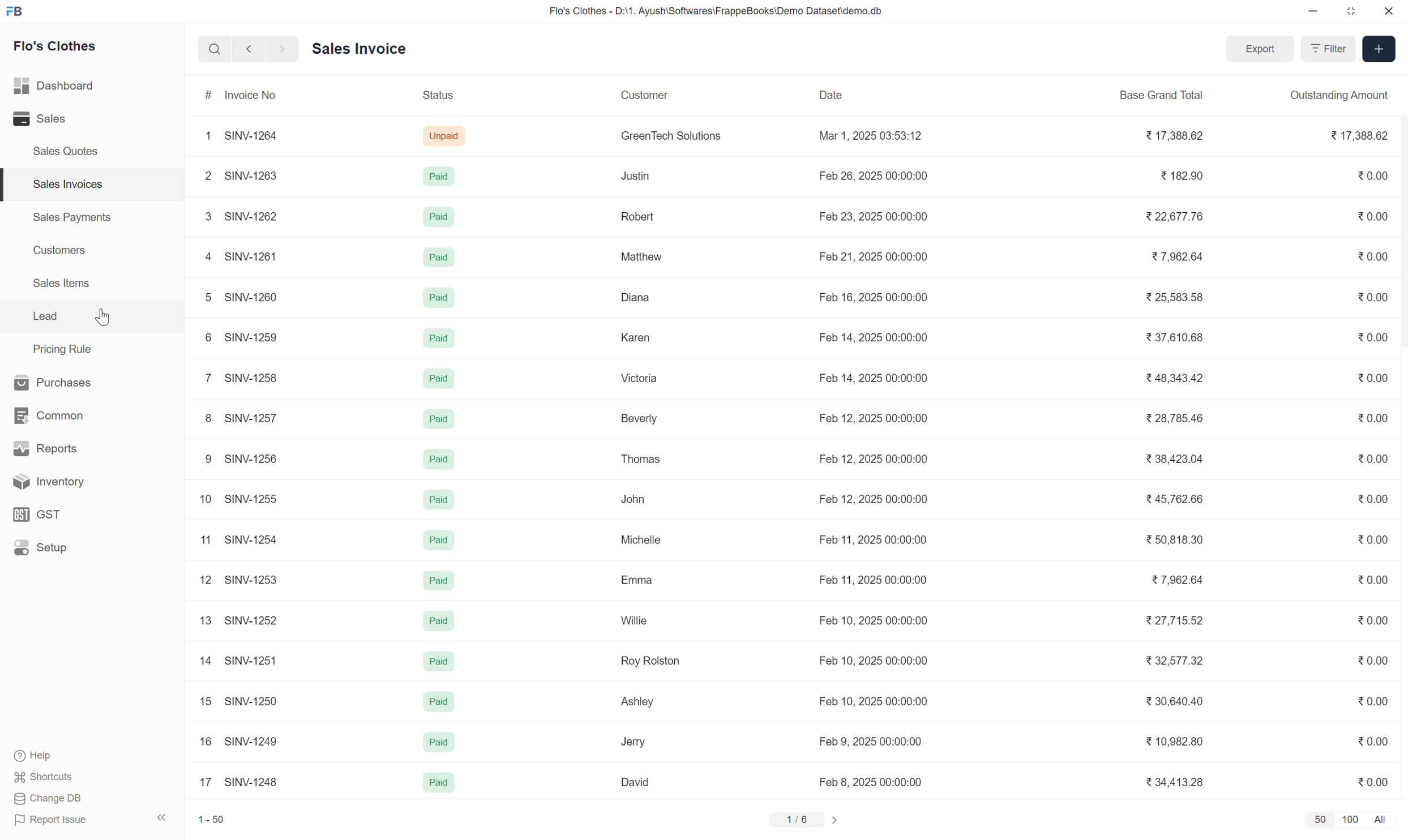 The width and height of the screenshot is (1408, 840). I want to click on 12, so click(202, 579).